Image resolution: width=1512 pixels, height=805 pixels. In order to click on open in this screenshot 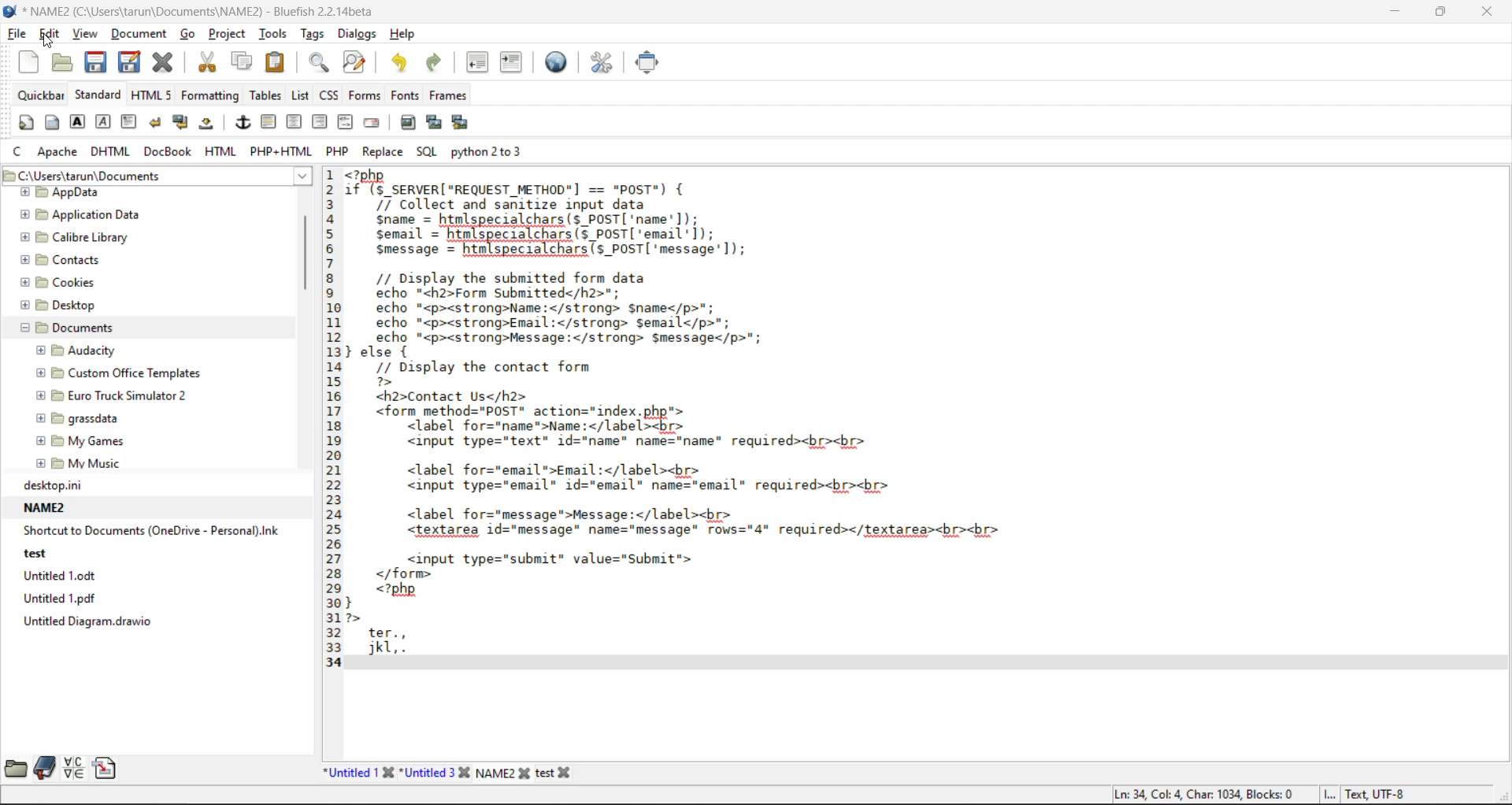, I will do `click(64, 61)`.